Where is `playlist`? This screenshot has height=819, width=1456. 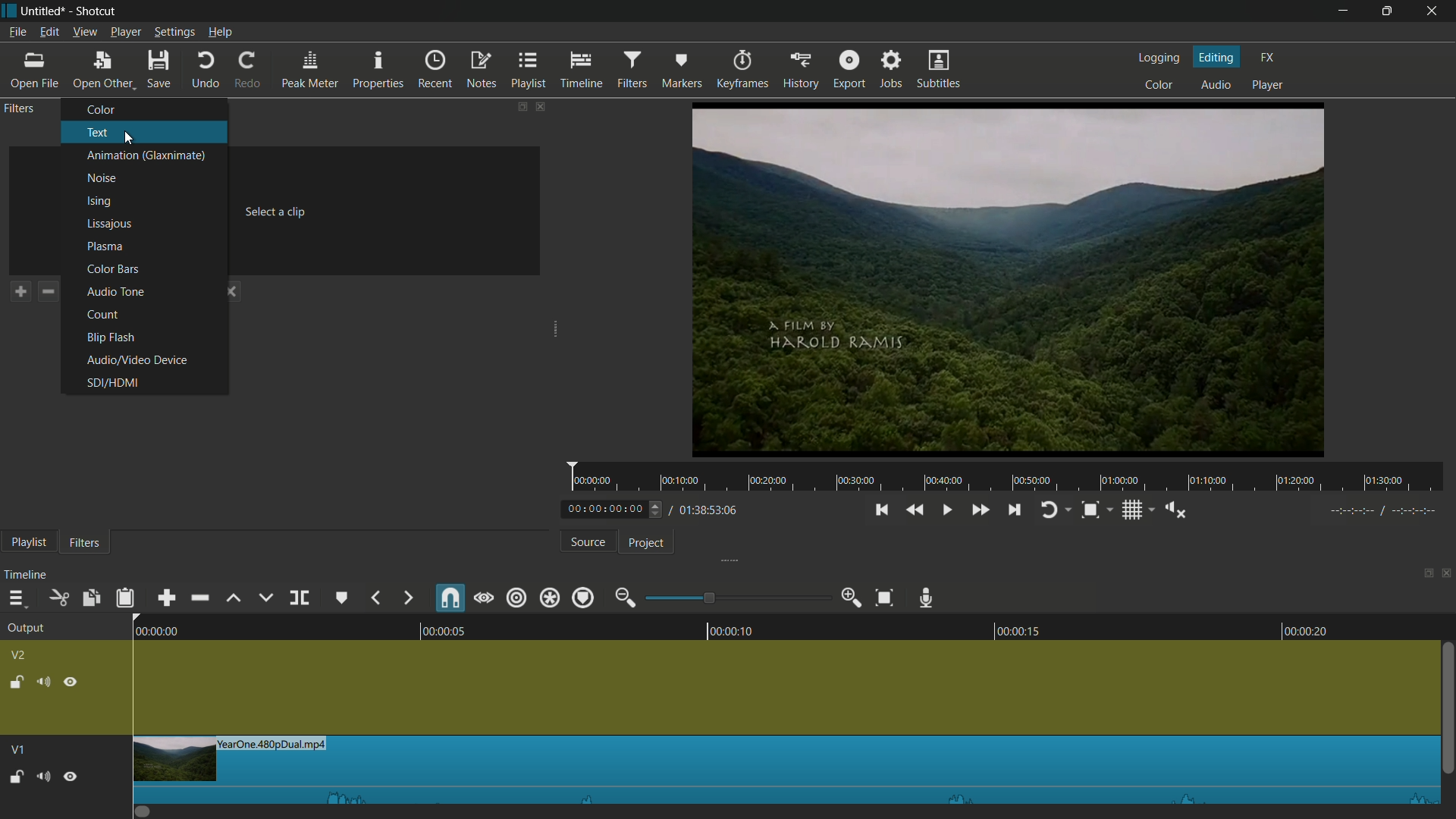
playlist is located at coordinates (531, 71).